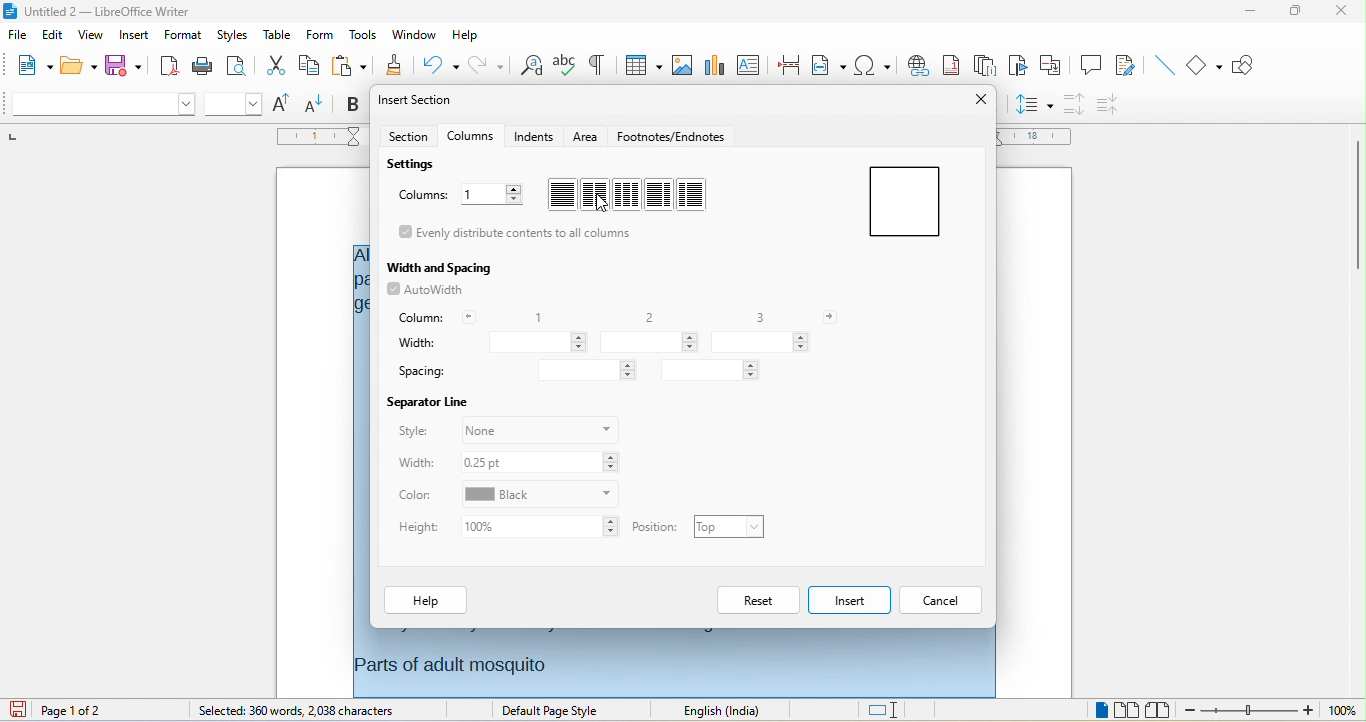 The image size is (1366, 722). Describe the element at coordinates (543, 528) in the screenshot. I see `set height` at that location.